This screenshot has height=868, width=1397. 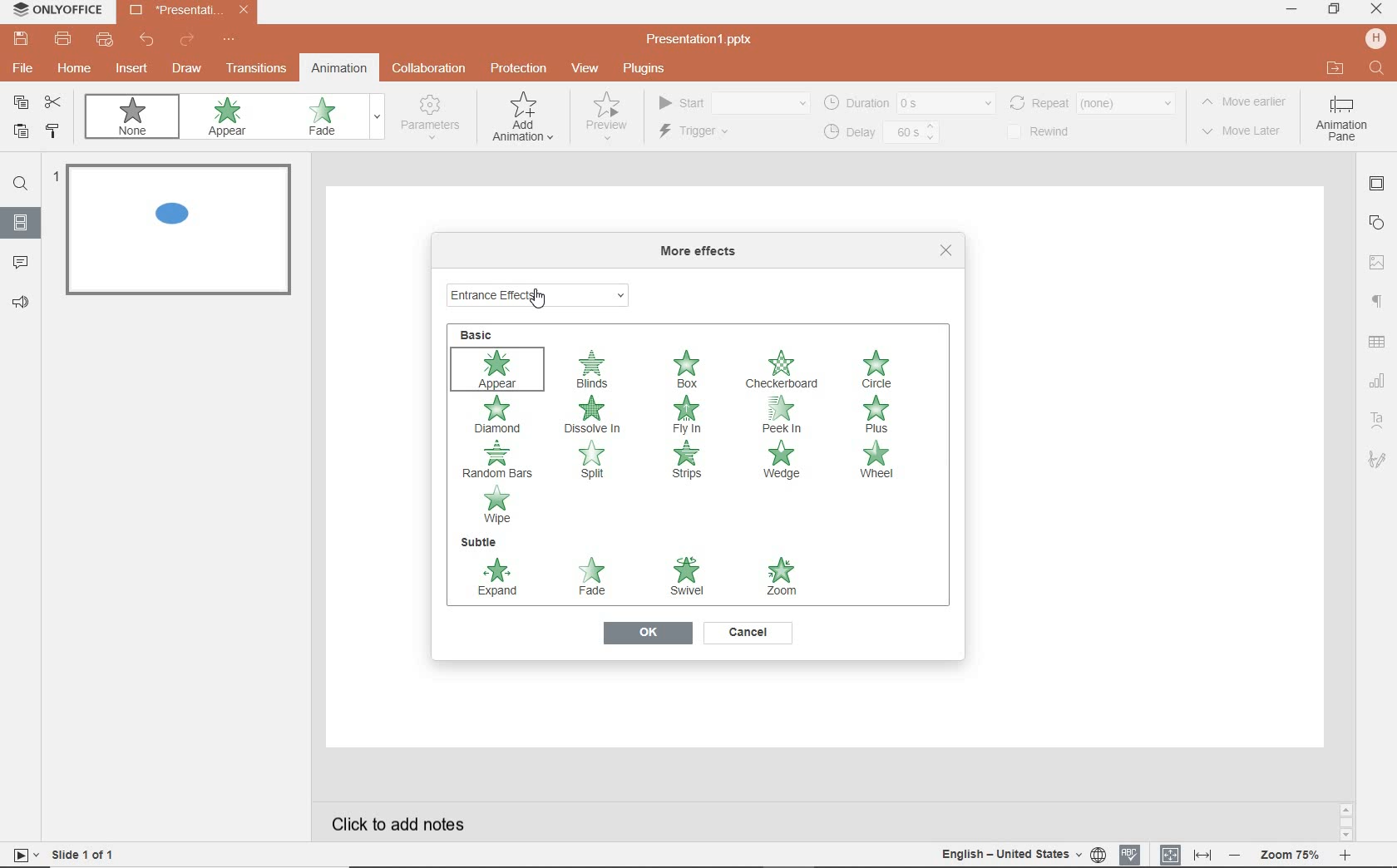 I want to click on fit to slide, so click(x=1171, y=851).